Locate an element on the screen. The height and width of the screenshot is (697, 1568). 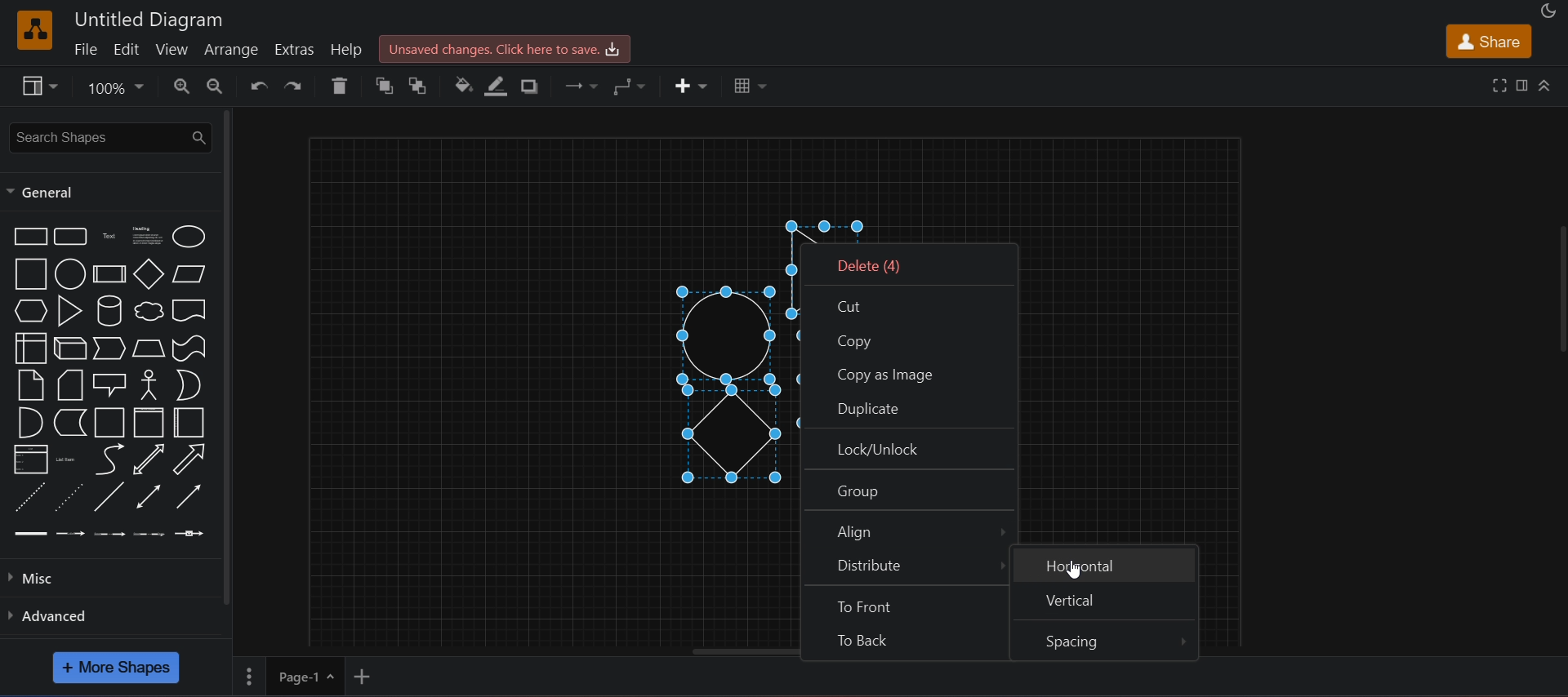
internal storage is located at coordinates (30, 348).